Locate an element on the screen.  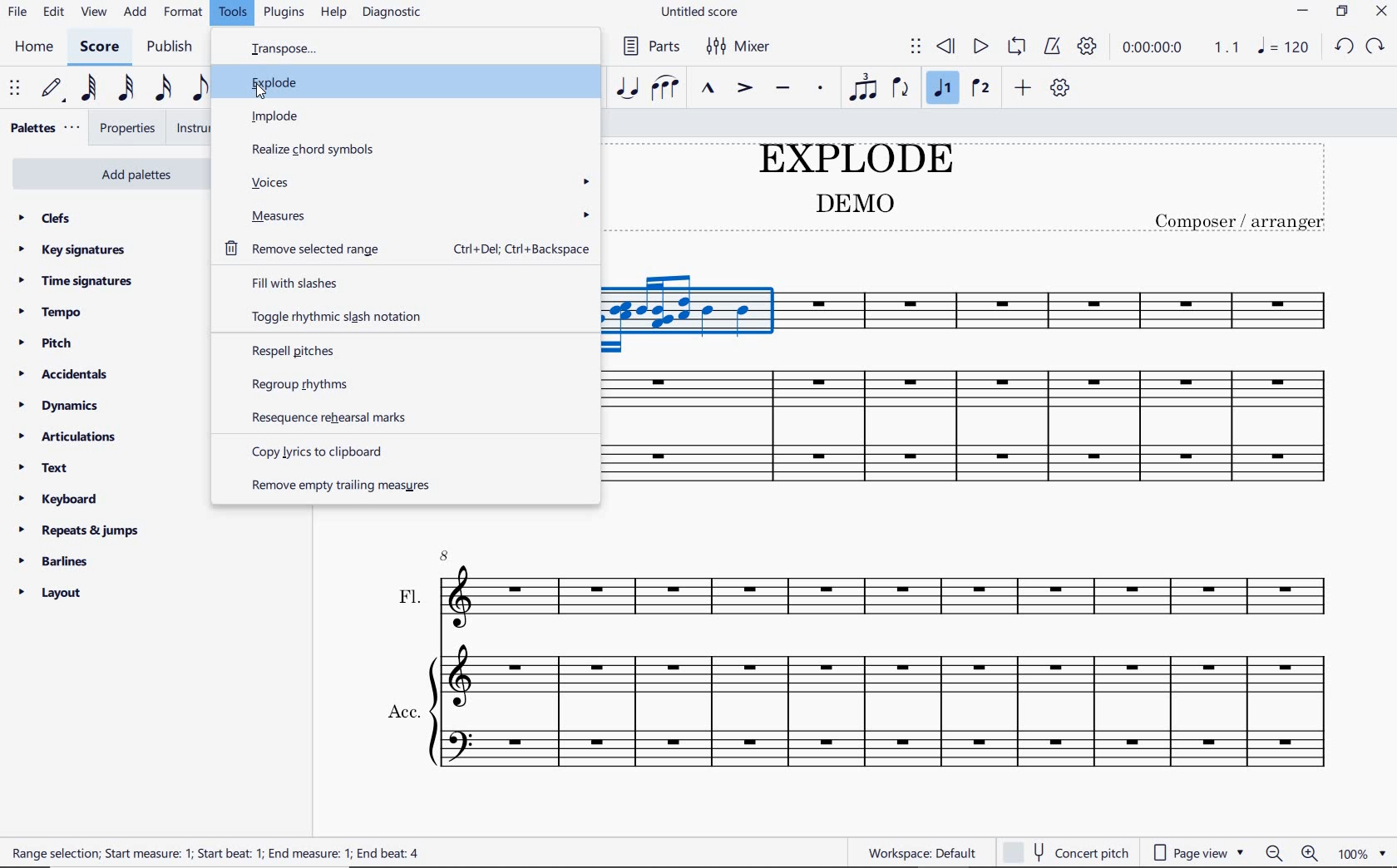
realize chord symbols is located at coordinates (313, 150).